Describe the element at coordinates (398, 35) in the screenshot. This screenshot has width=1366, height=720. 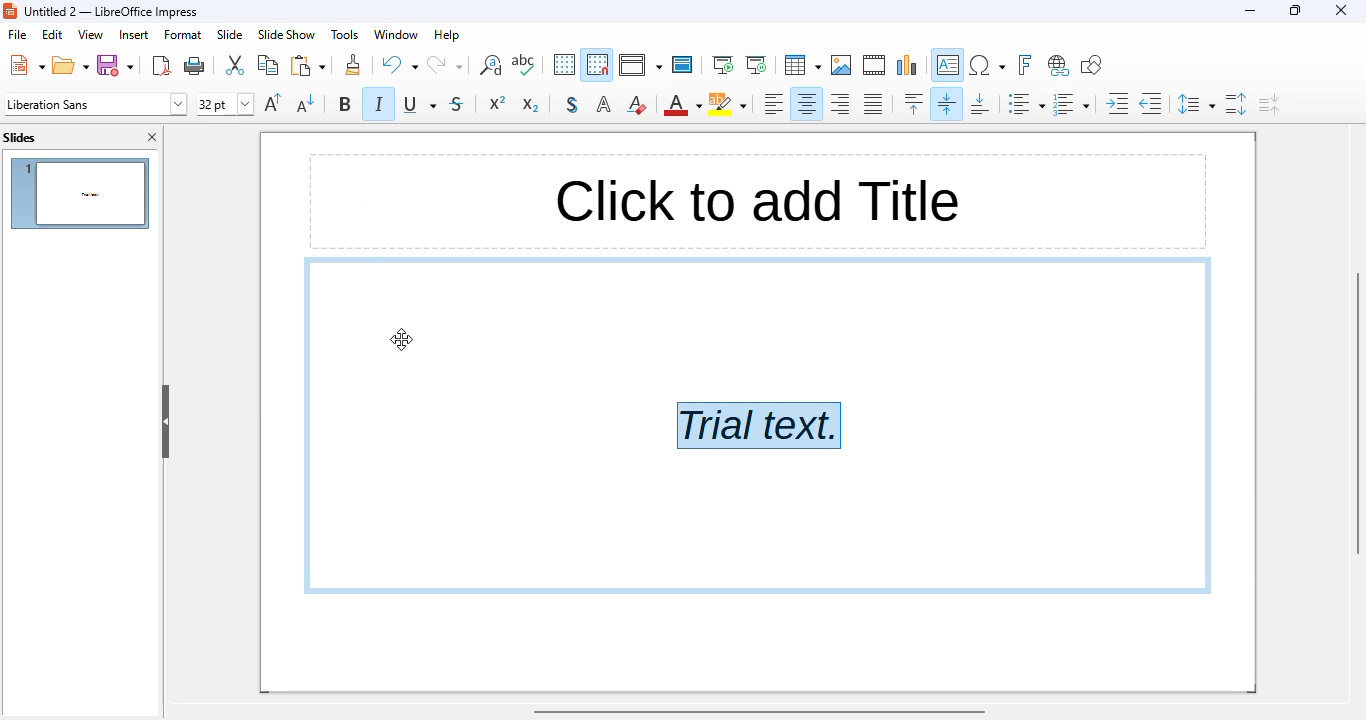
I see `window` at that location.